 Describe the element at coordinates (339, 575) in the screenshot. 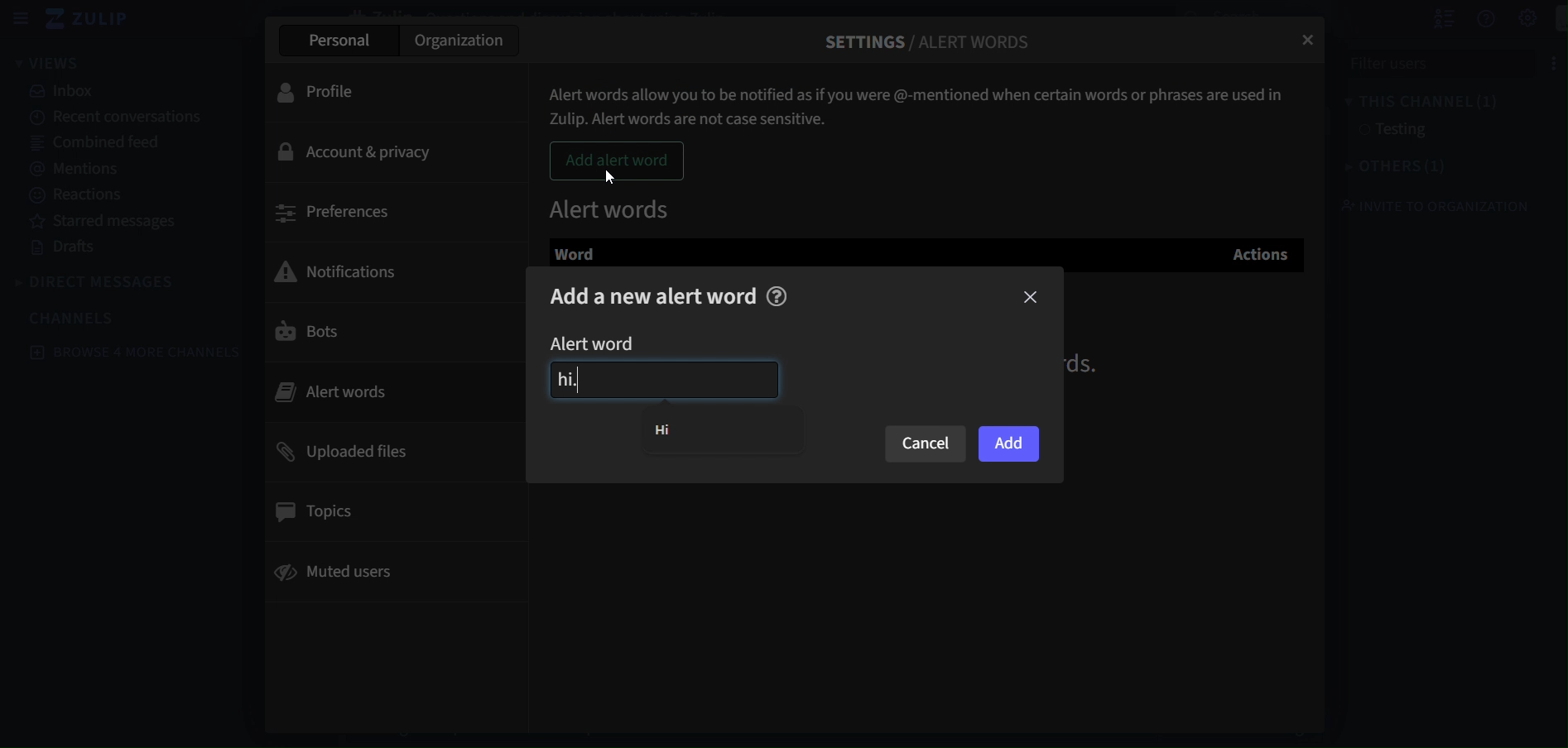

I see `muted users` at that location.